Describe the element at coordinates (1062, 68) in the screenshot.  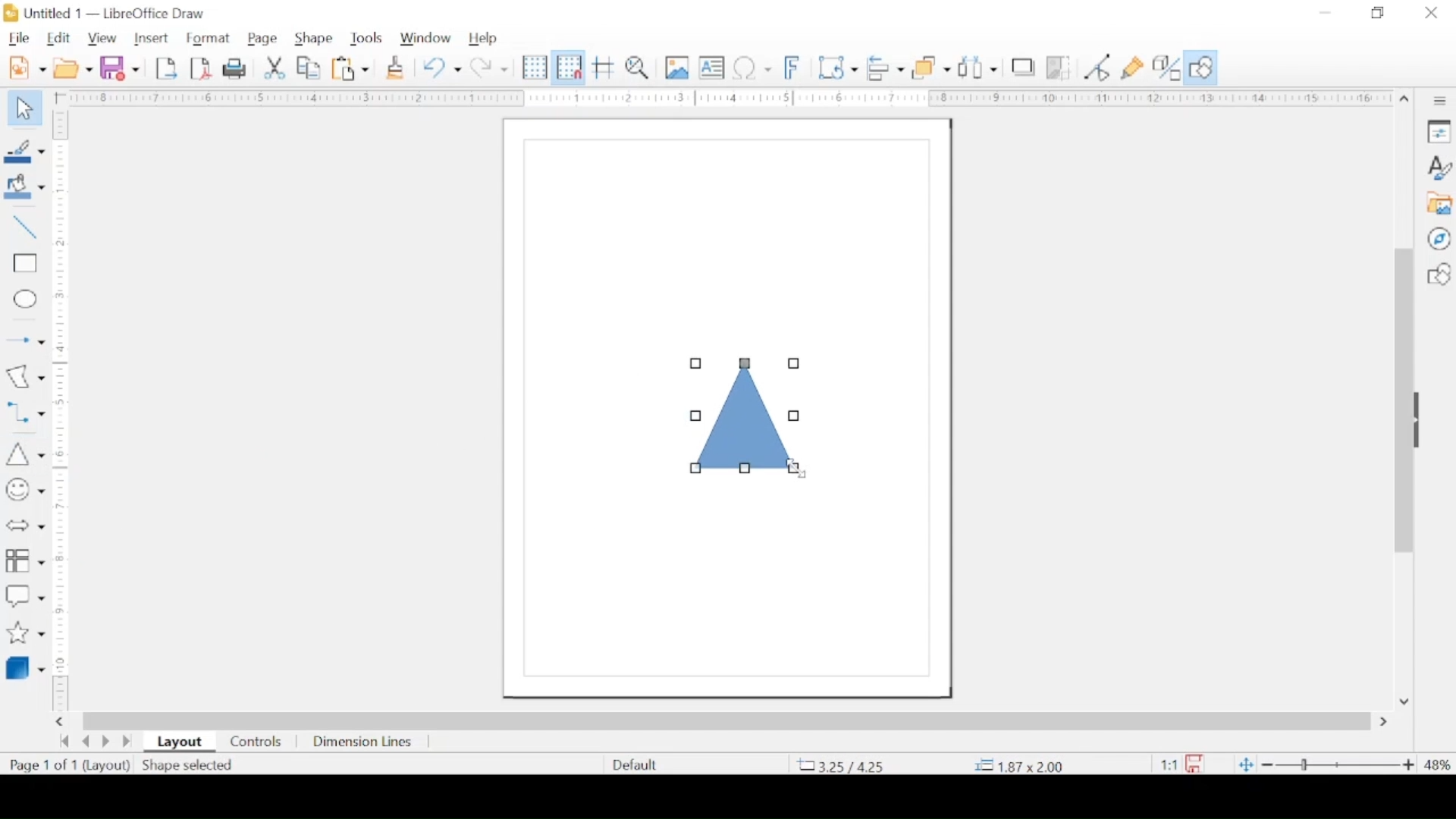
I see `crop image` at that location.